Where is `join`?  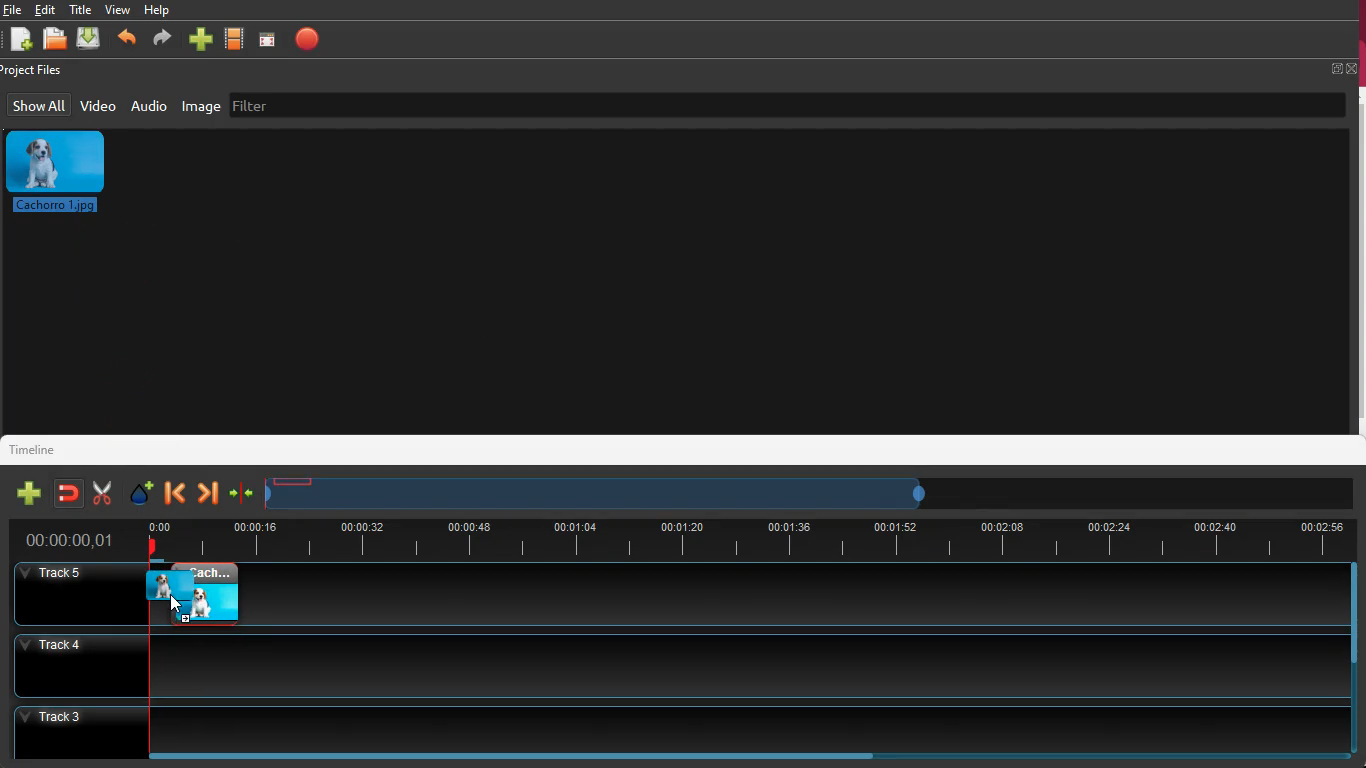
join is located at coordinates (67, 493).